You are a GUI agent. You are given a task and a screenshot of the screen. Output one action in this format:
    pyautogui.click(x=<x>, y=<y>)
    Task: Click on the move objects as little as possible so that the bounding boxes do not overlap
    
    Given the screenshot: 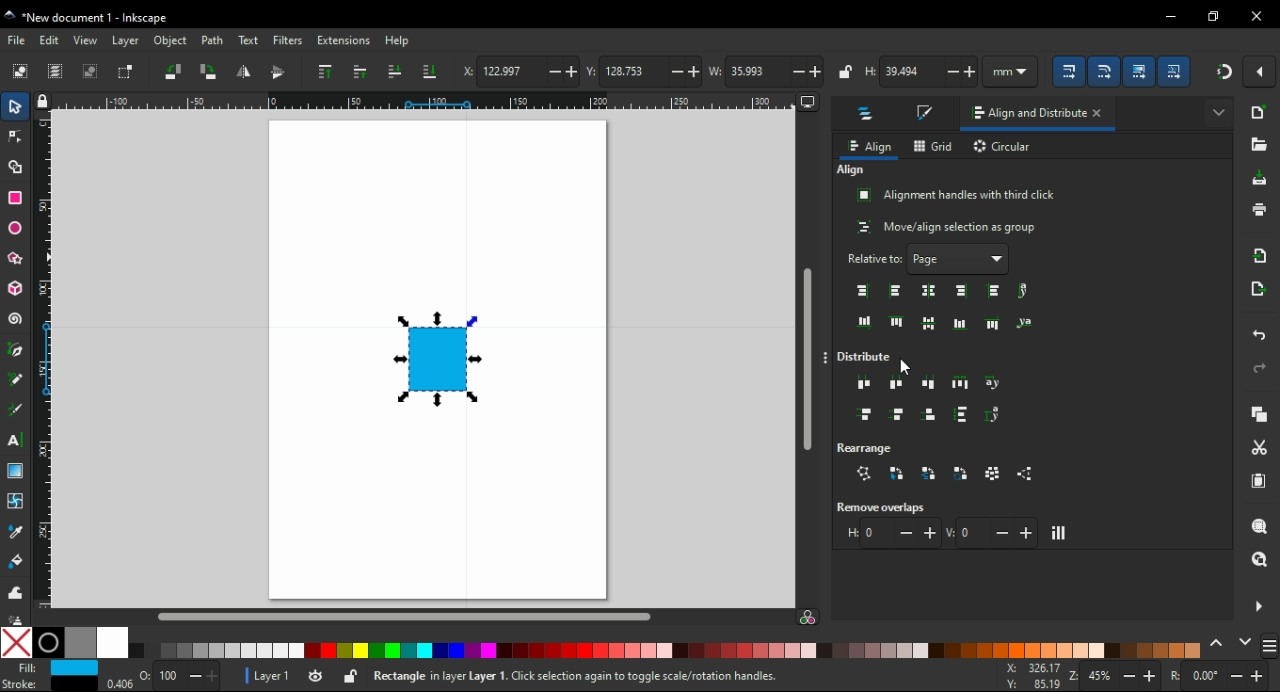 What is the action you would take?
    pyautogui.click(x=1060, y=533)
    